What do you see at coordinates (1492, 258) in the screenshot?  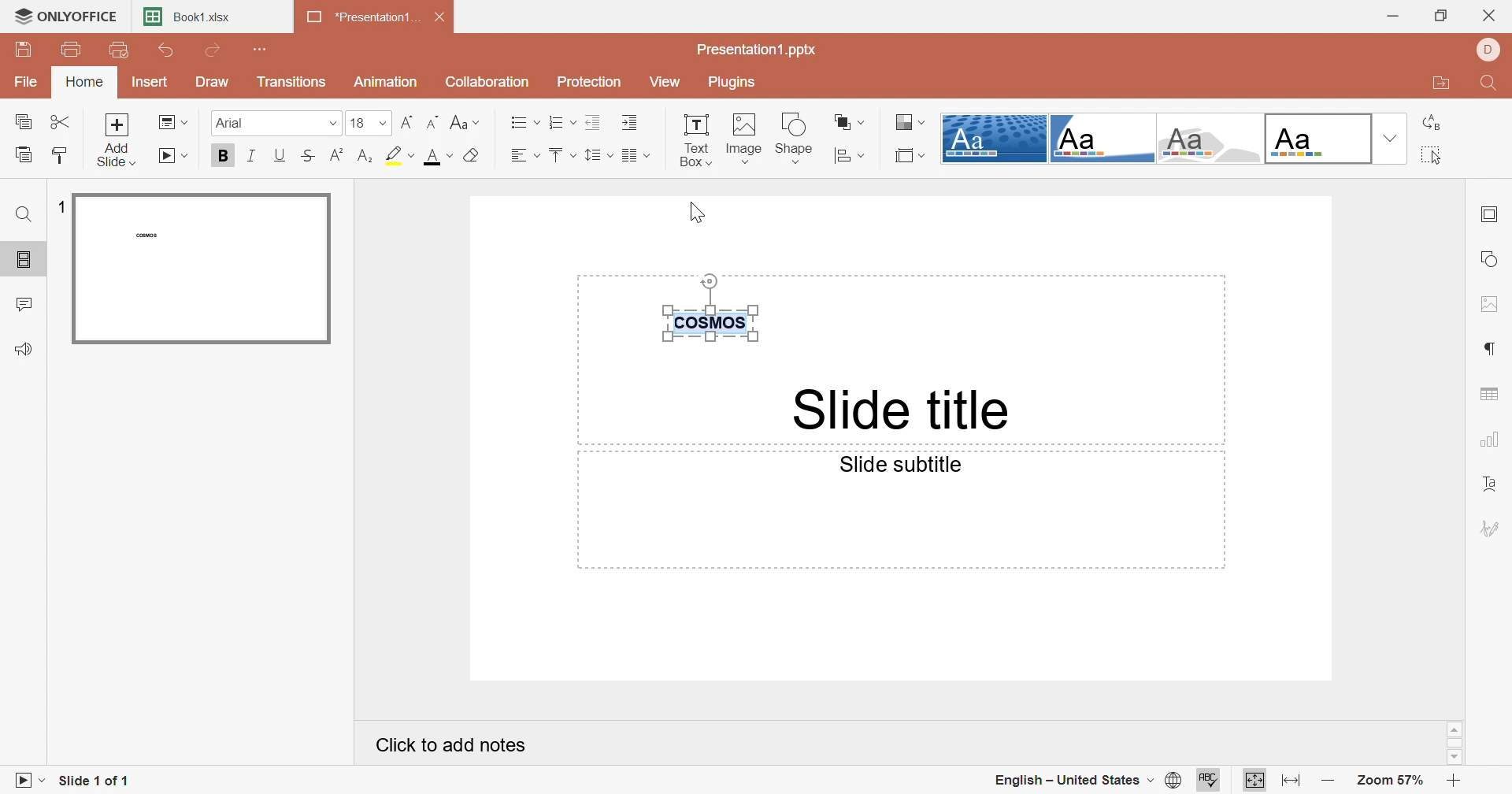 I see `Shape settings` at bounding box center [1492, 258].